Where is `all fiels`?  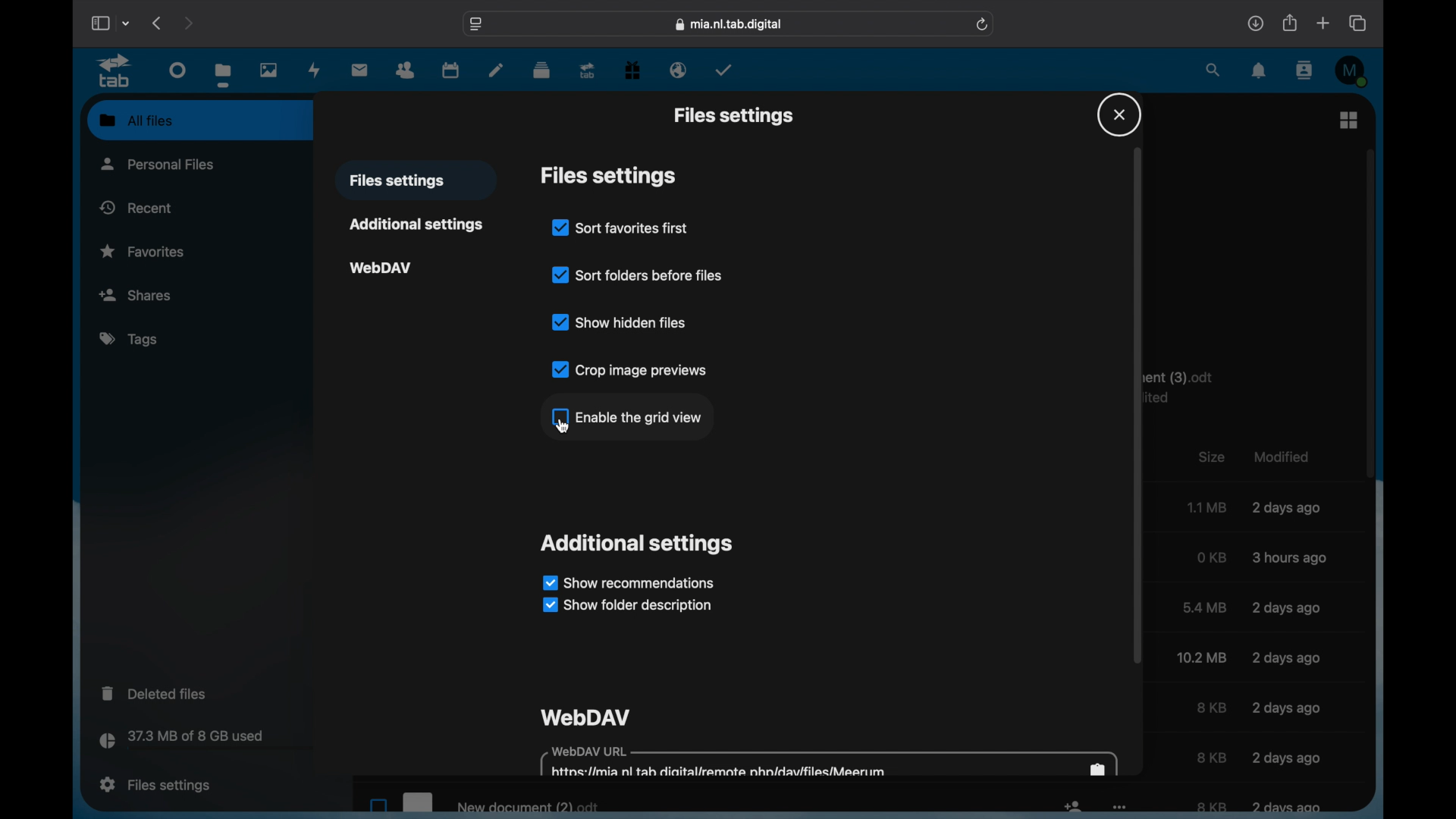 all fiels is located at coordinates (136, 121).